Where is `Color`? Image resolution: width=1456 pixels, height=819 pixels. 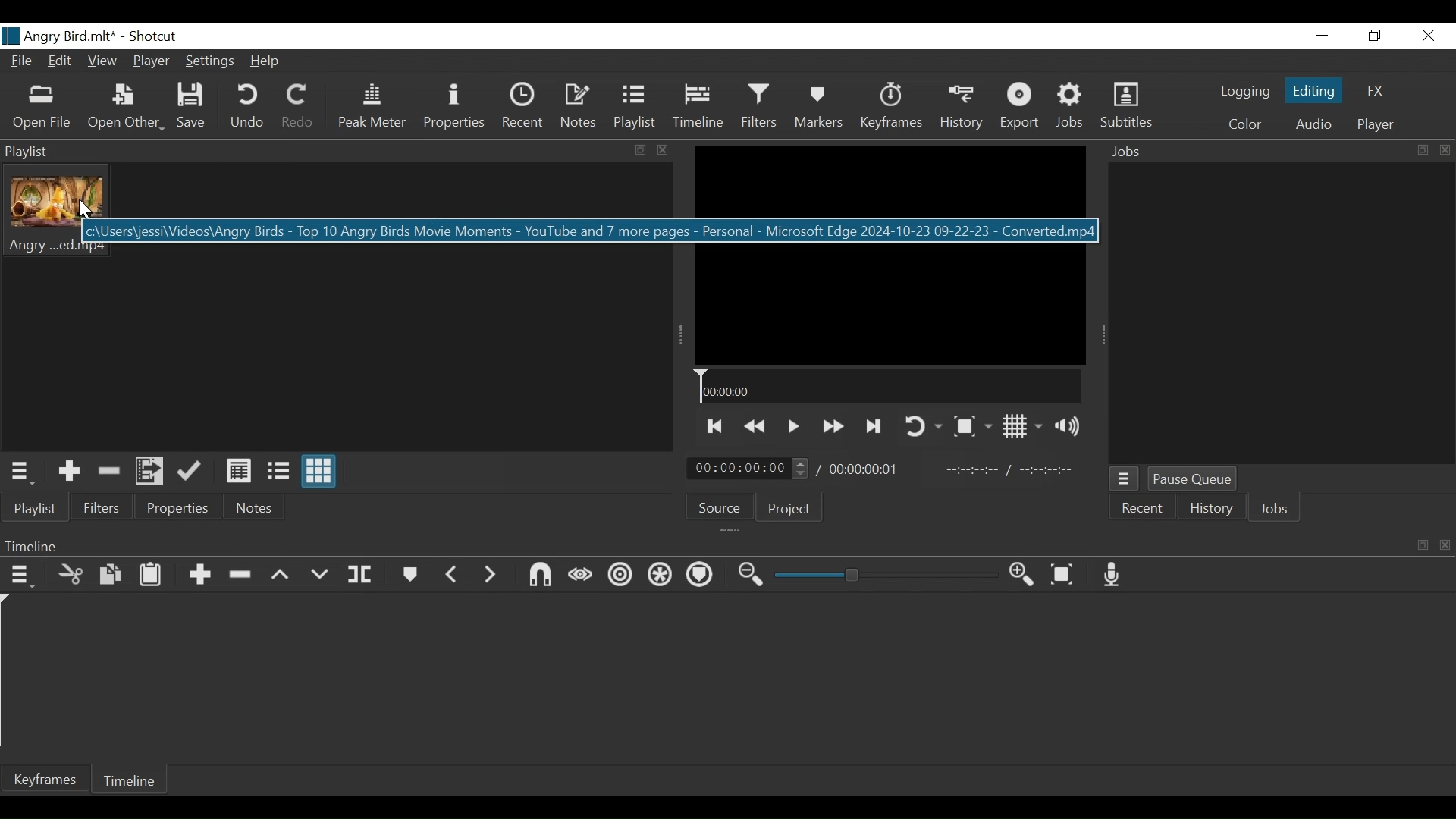 Color is located at coordinates (1245, 124).